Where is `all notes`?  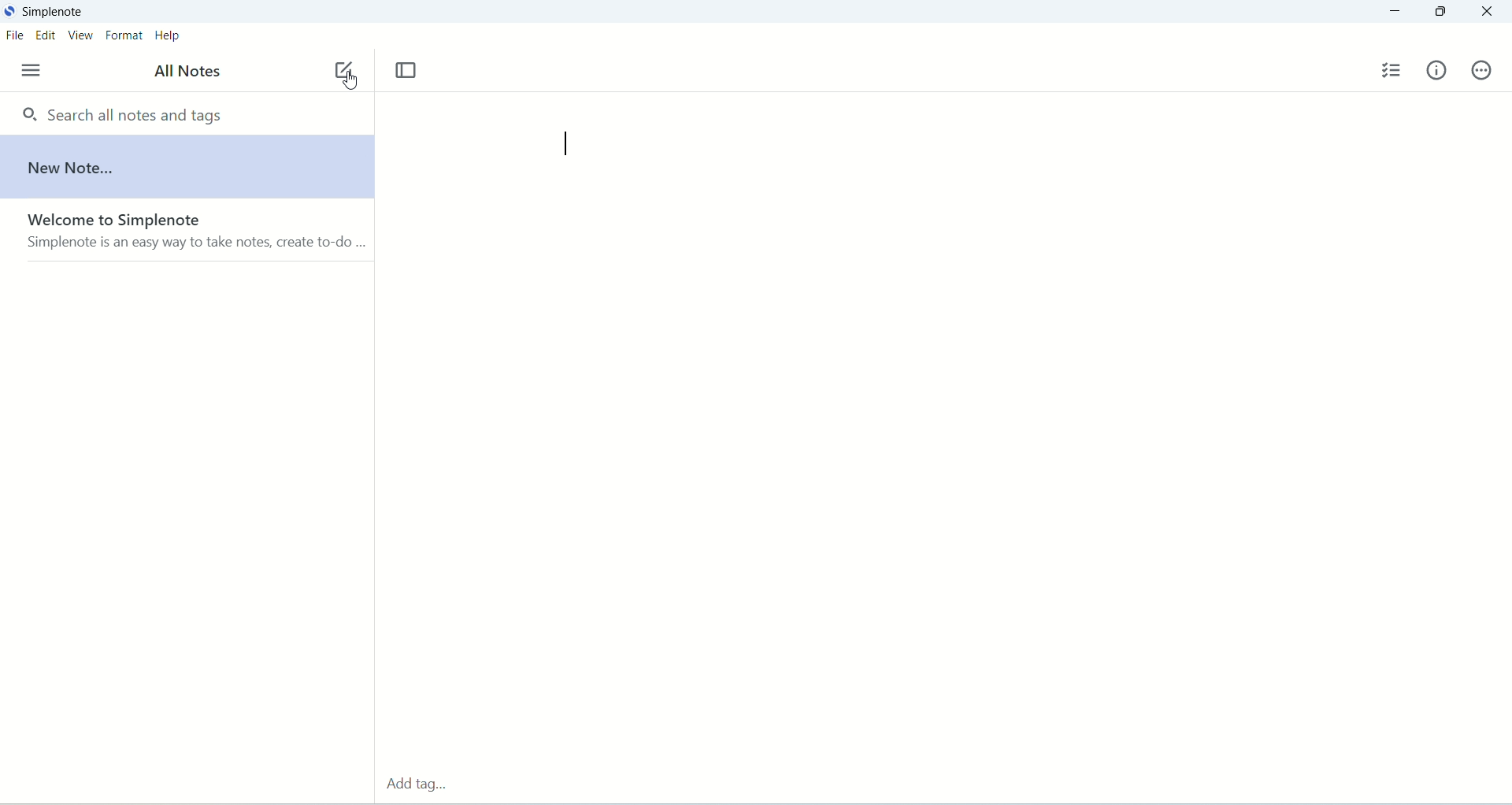 all notes is located at coordinates (186, 72).